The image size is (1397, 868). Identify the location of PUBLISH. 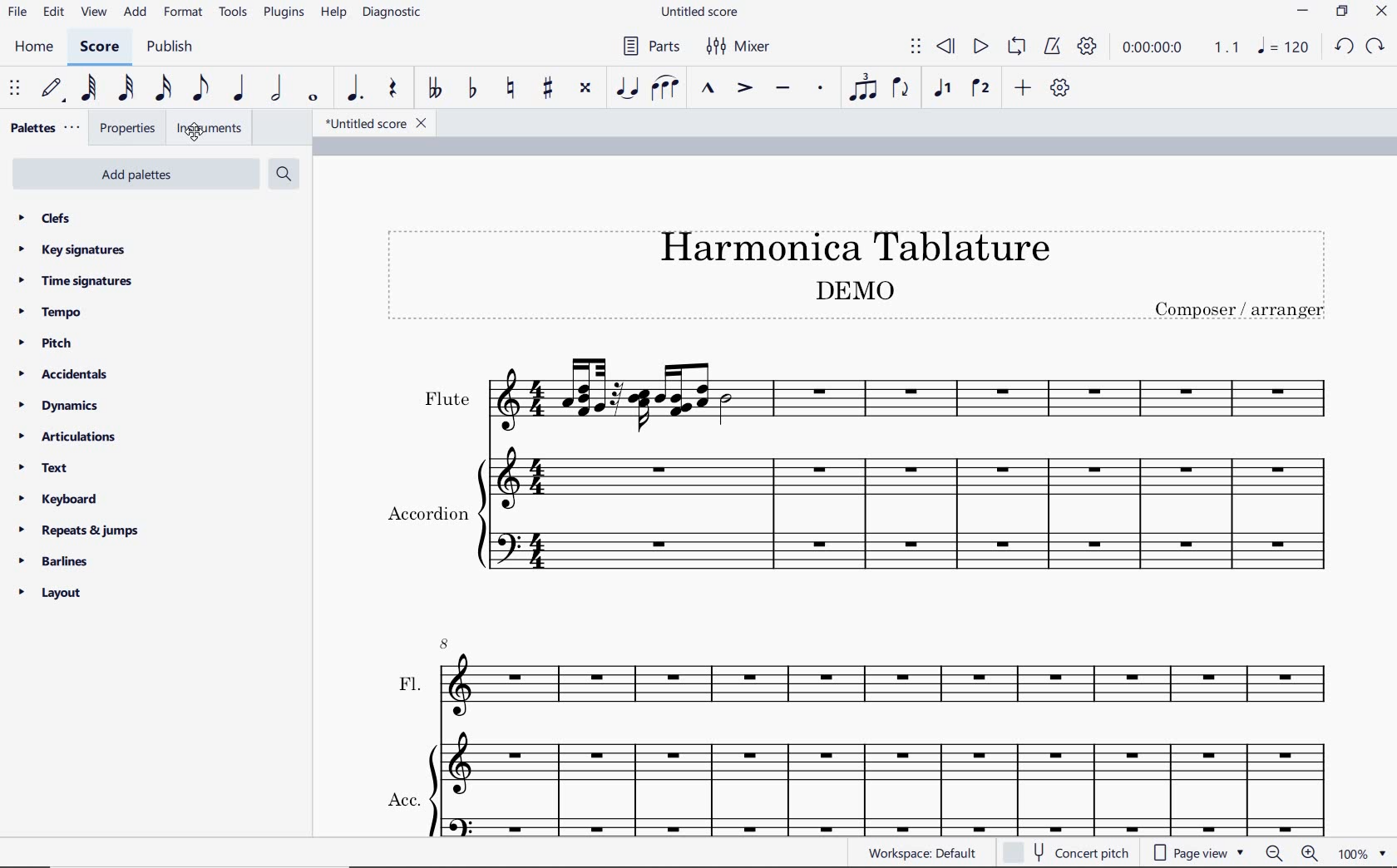
(172, 47).